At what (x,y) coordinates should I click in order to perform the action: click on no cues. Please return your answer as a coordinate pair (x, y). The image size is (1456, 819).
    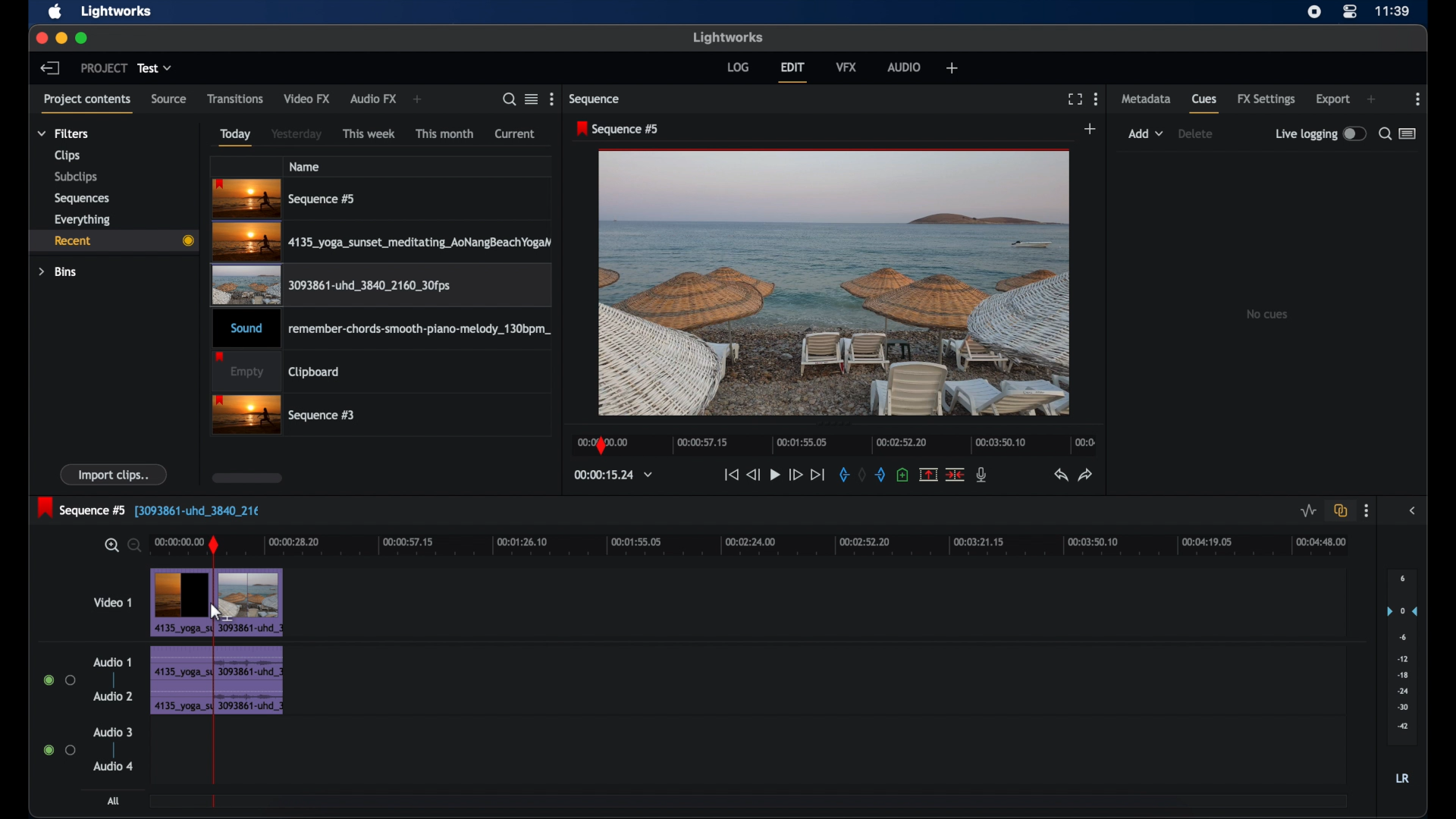
    Looking at the image, I should click on (1269, 314).